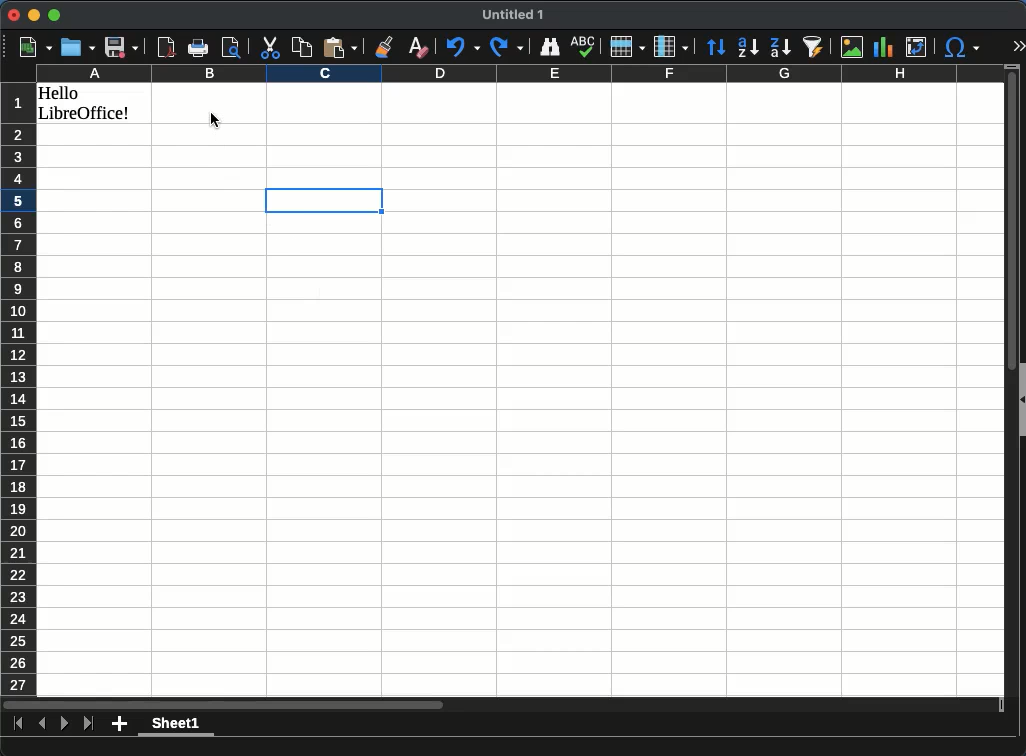 This screenshot has height=756, width=1026. Describe the element at coordinates (1020, 47) in the screenshot. I see `expand` at that location.